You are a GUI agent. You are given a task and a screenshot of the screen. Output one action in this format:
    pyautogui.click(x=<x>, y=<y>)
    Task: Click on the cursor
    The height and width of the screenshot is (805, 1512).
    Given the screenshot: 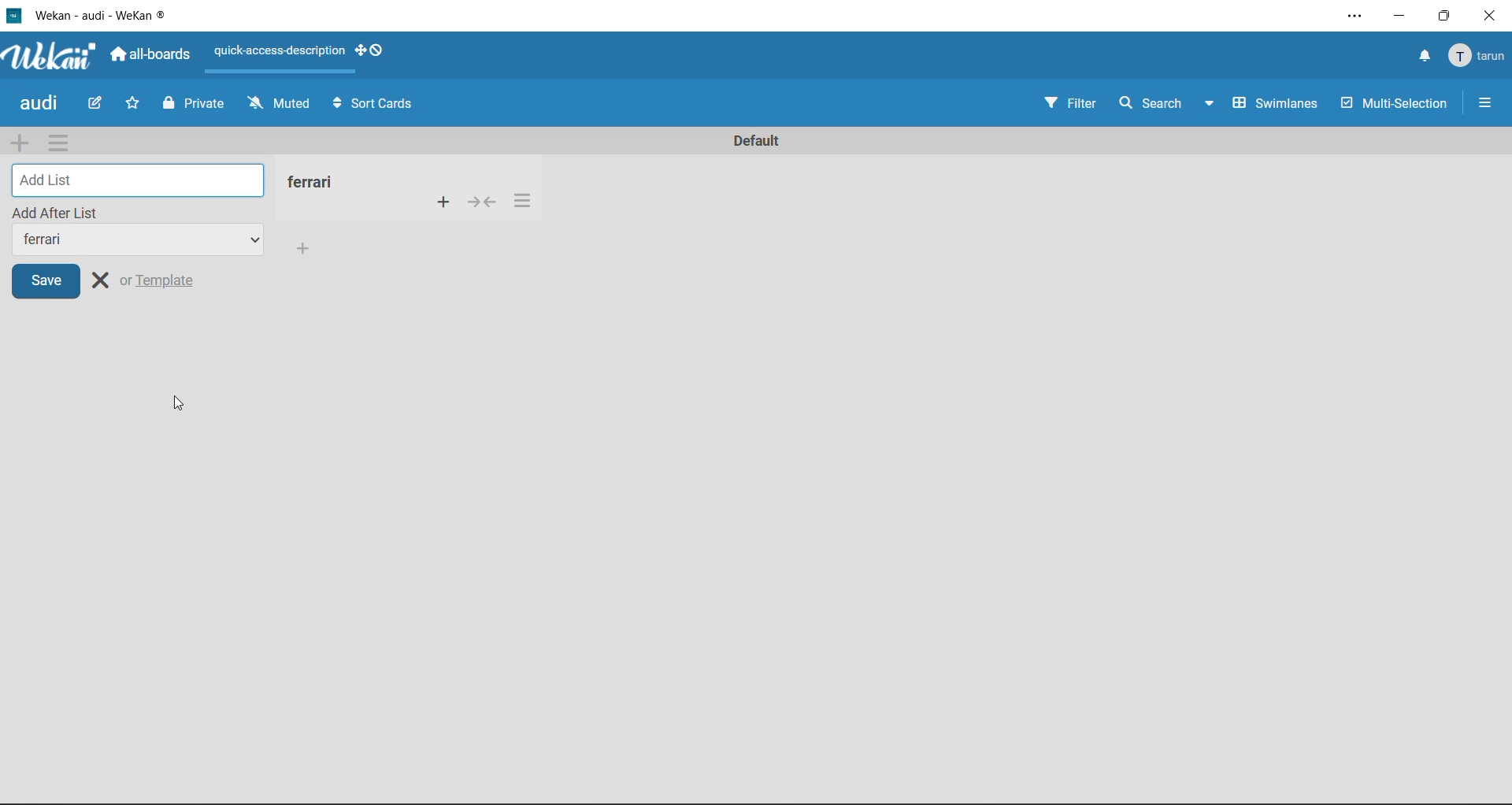 What is the action you would take?
    pyautogui.click(x=177, y=406)
    